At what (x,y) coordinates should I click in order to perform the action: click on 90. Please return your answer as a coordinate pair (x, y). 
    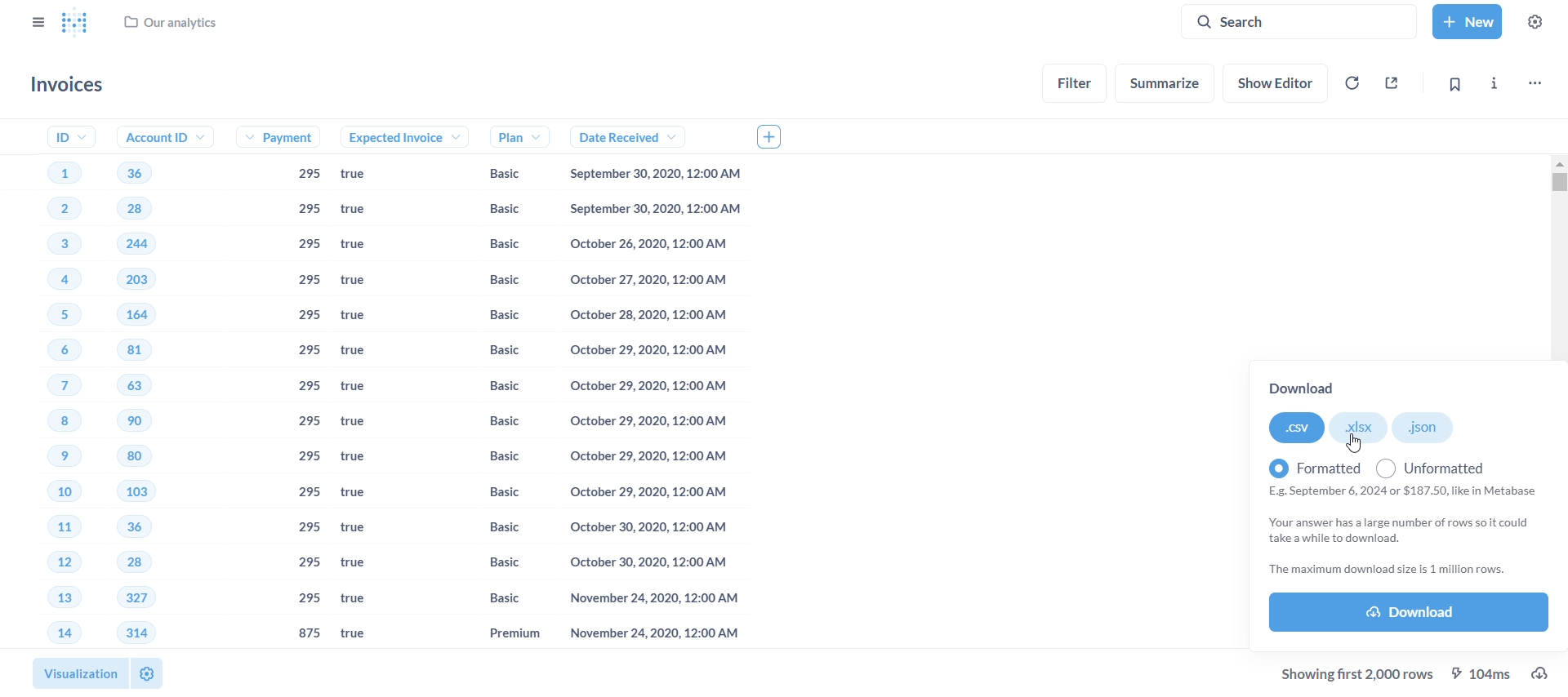
    Looking at the image, I should click on (135, 422).